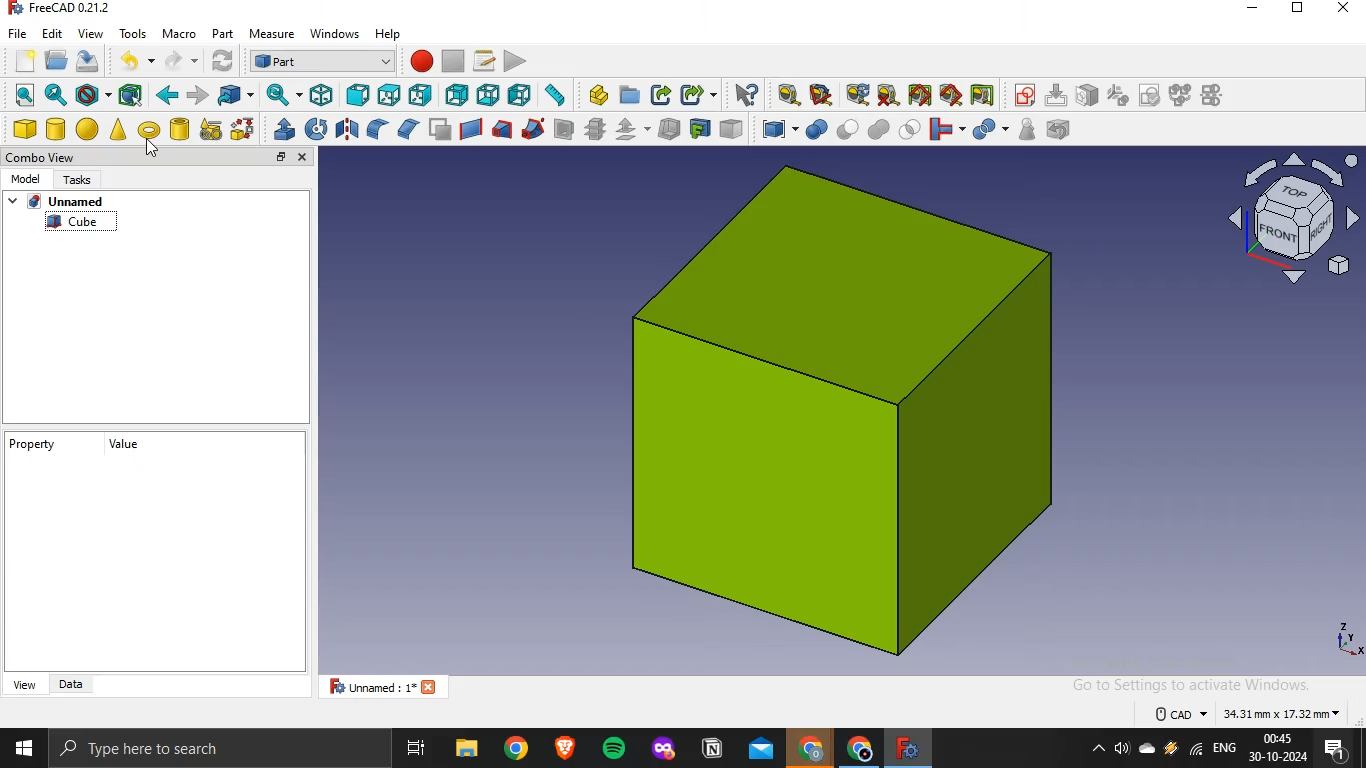 This screenshot has height=768, width=1366. Describe the element at coordinates (488, 95) in the screenshot. I see `bottom` at that location.